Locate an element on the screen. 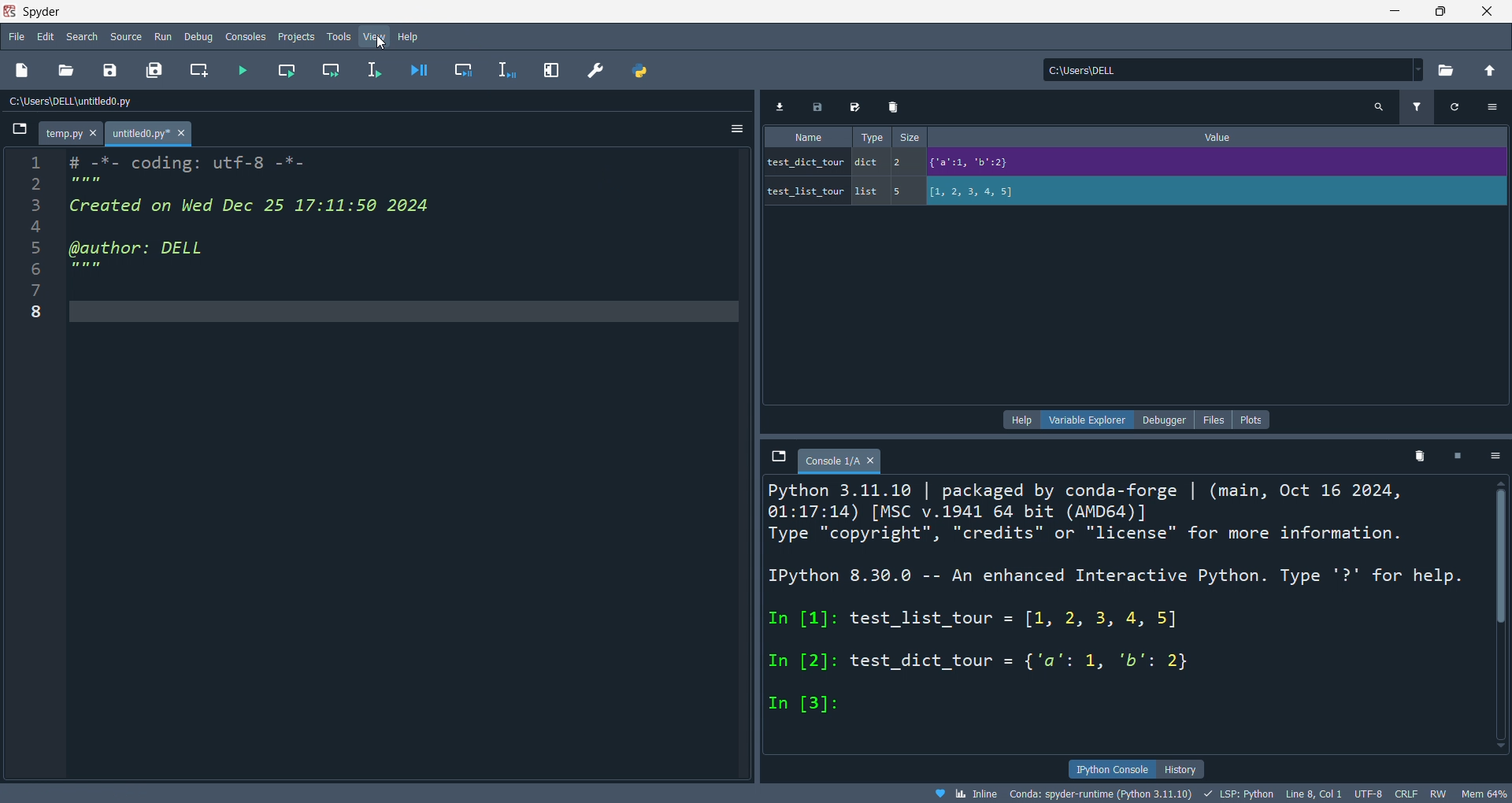 This screenshot has height=803, width=1512. minimize is located at coordinates (1392, 10).